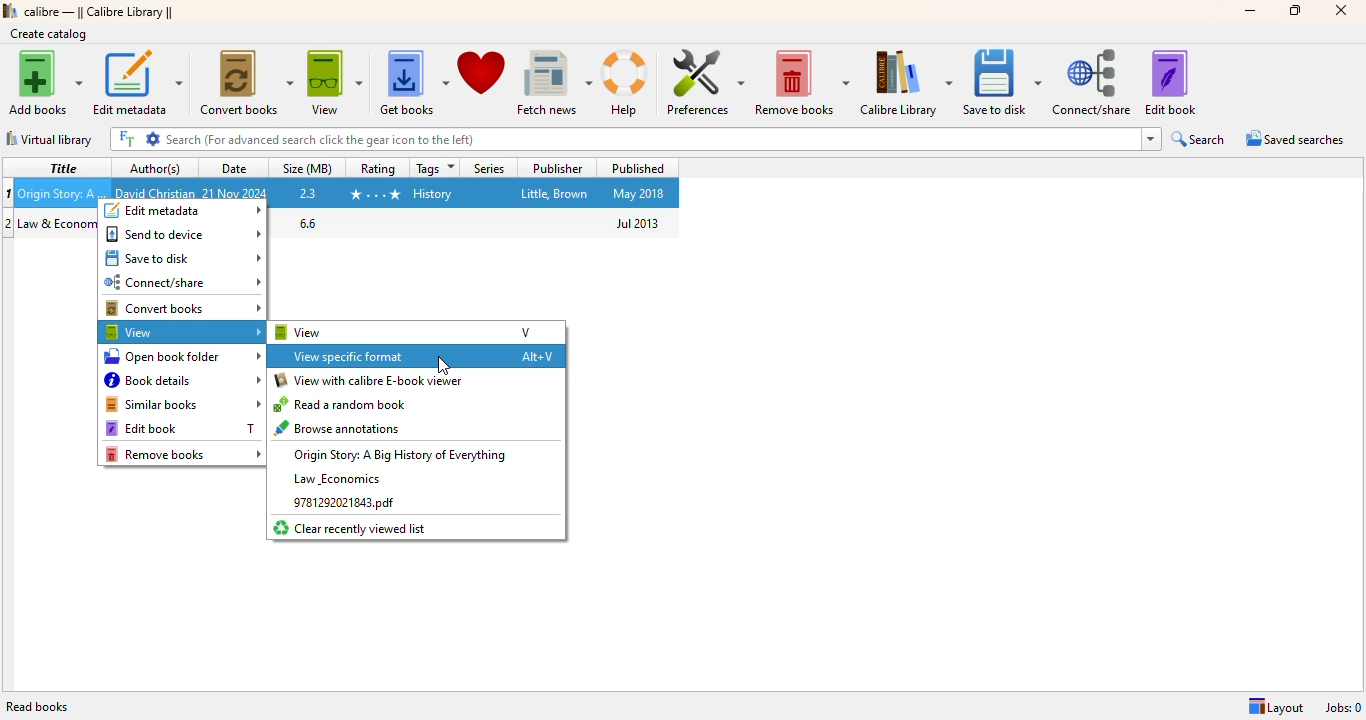 The width and height of the screenshot is (1366, 720). Describe the element at coordinates (1249, 11) in the screenshot. I see `minimize` at that location.